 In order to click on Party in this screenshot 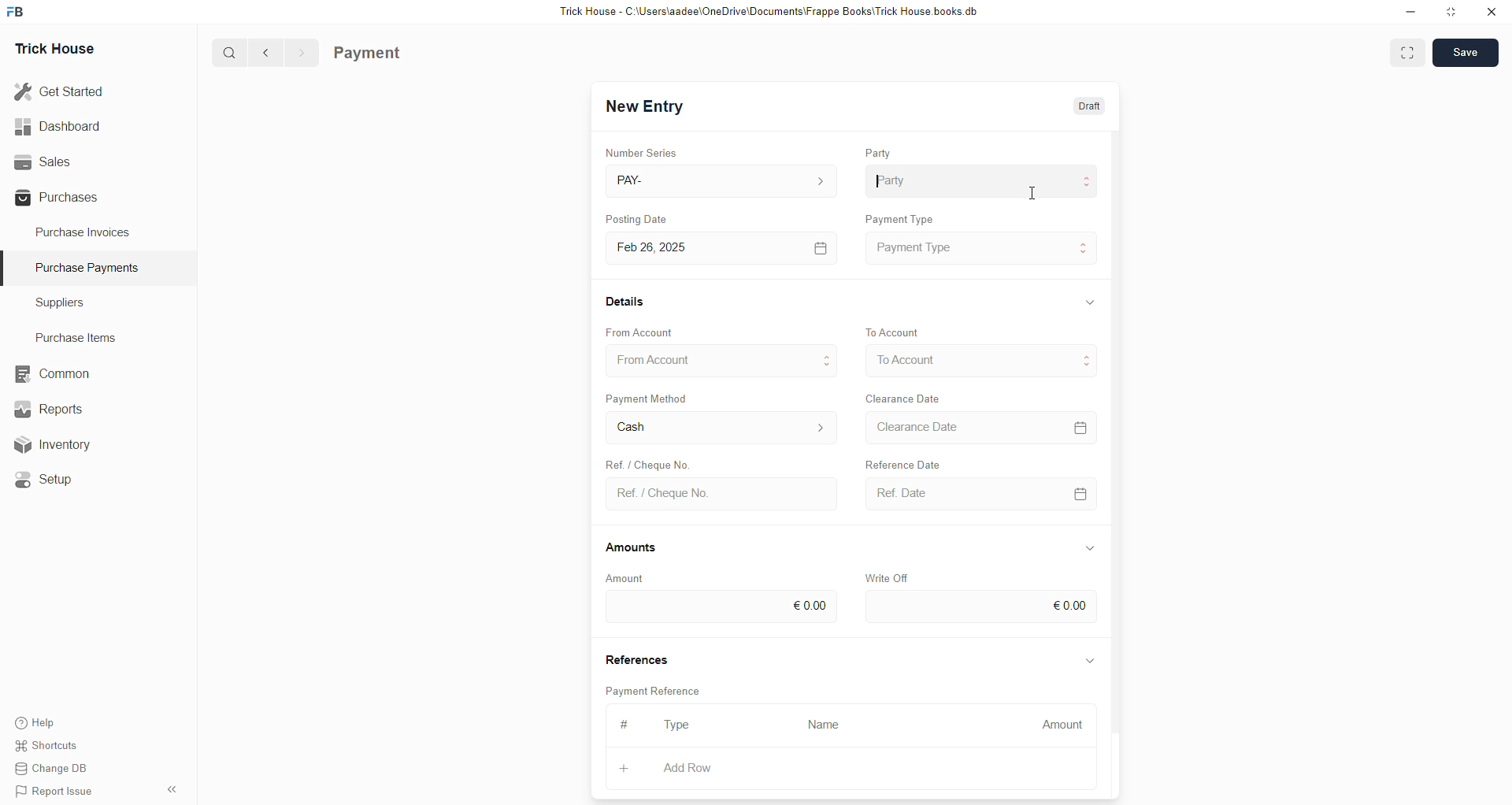, I will do `click(880, 154)`.